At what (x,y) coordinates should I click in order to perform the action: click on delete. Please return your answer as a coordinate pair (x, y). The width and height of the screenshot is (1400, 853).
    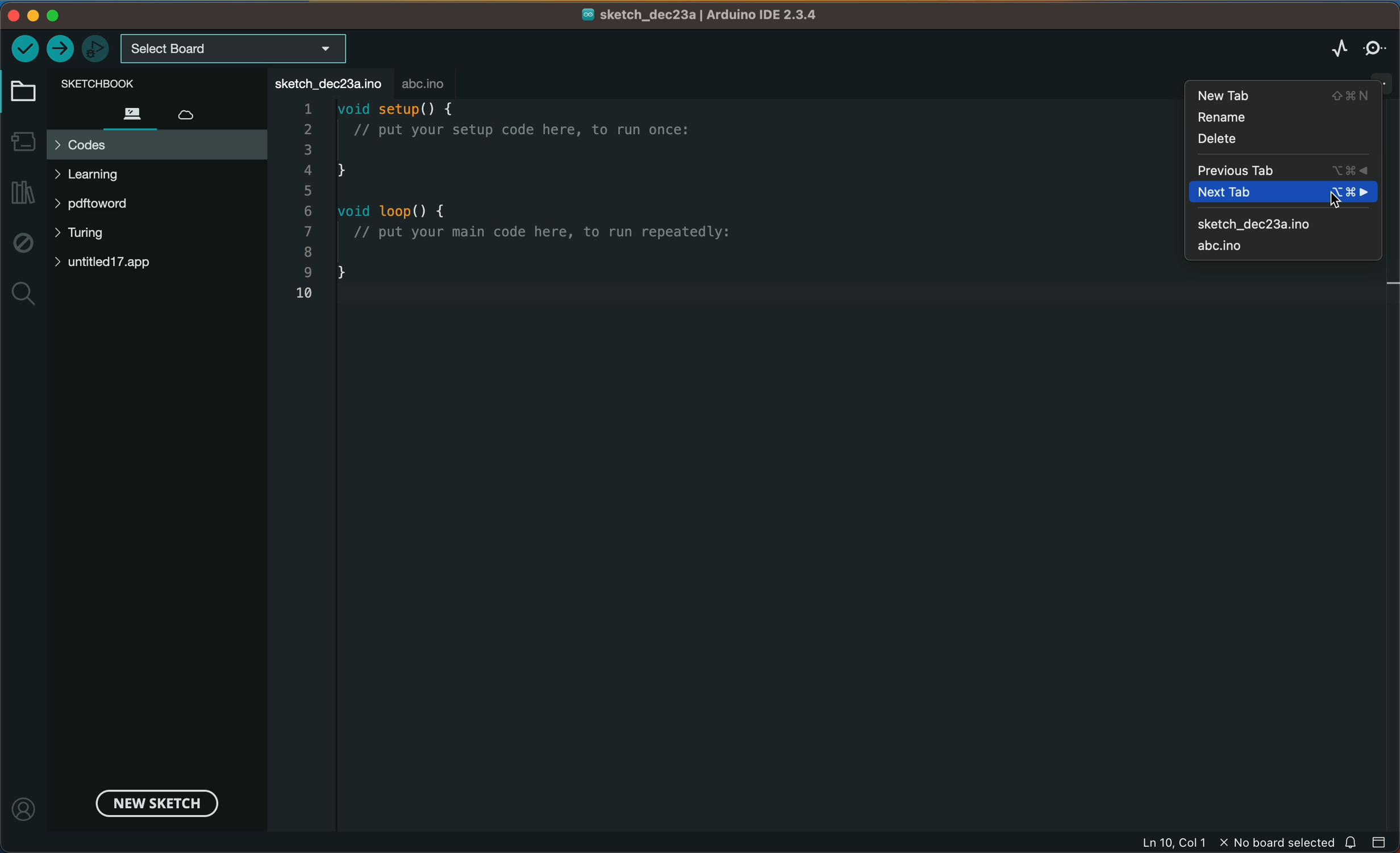
    Looking at the image, I should click on (1284, 139).